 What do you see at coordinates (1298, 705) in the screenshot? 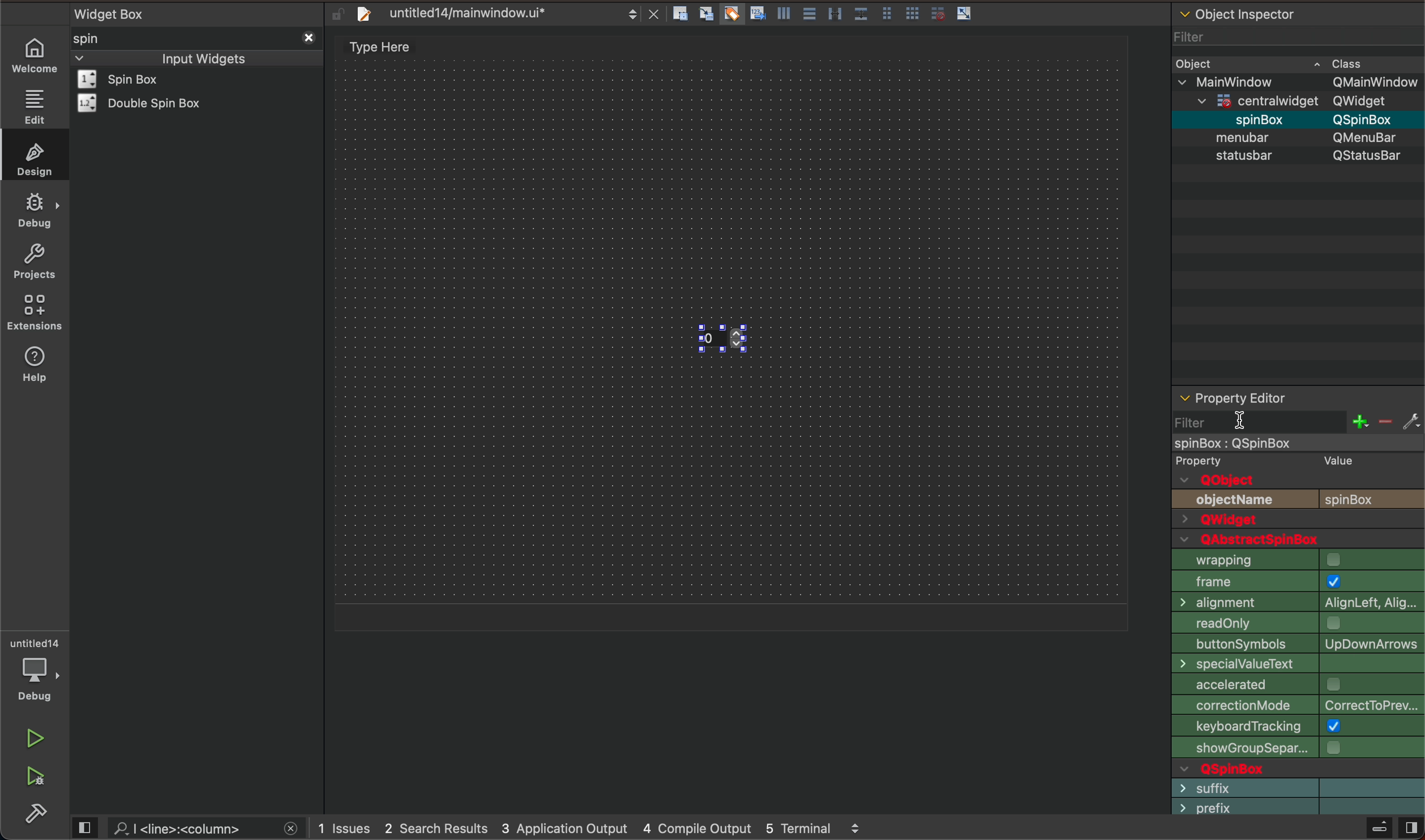
I see `unified title` at bounding box center [1298, 705].